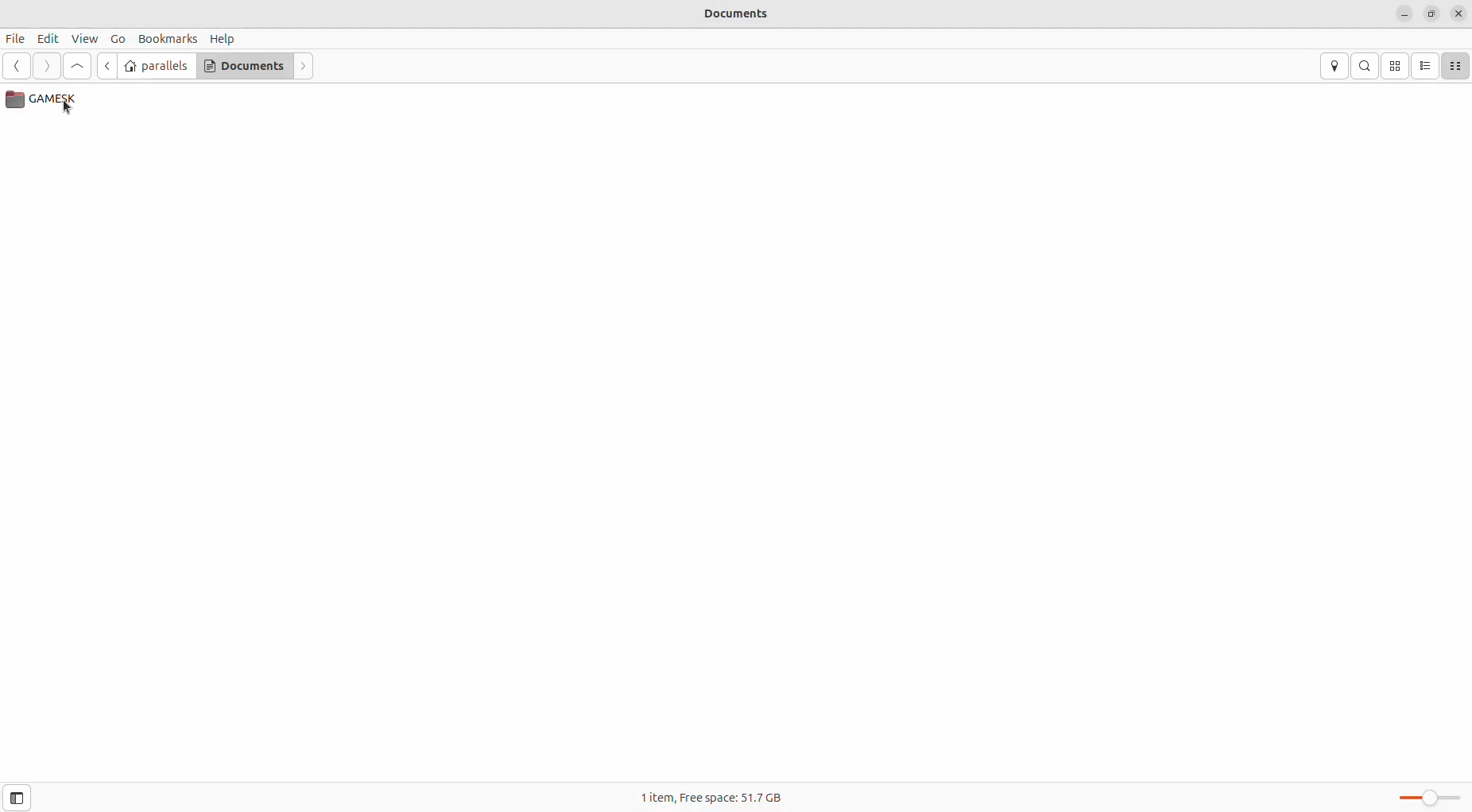 The height and width of the screenshot is (812, 1472). I want to click on Games, so click(45, 100).